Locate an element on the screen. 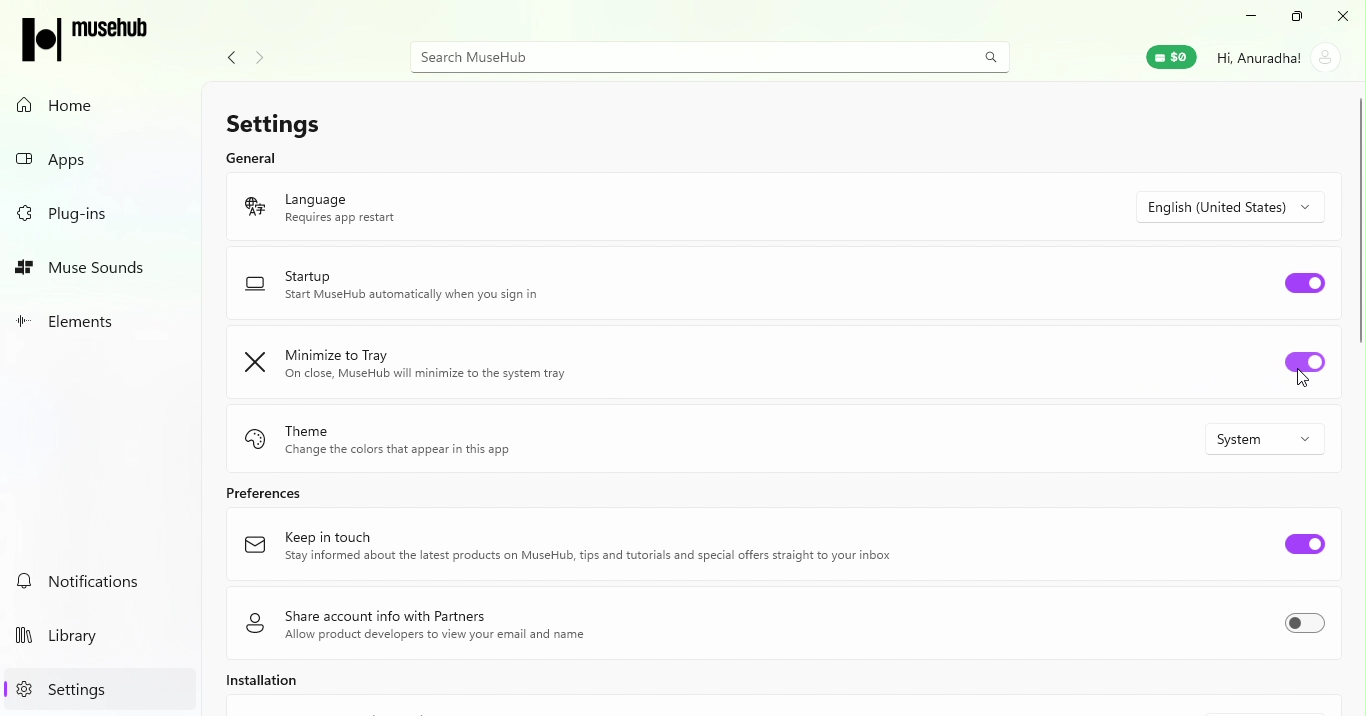 This screenshot has width=1366, height=716. Settings General is located at coordinates (376, 131).